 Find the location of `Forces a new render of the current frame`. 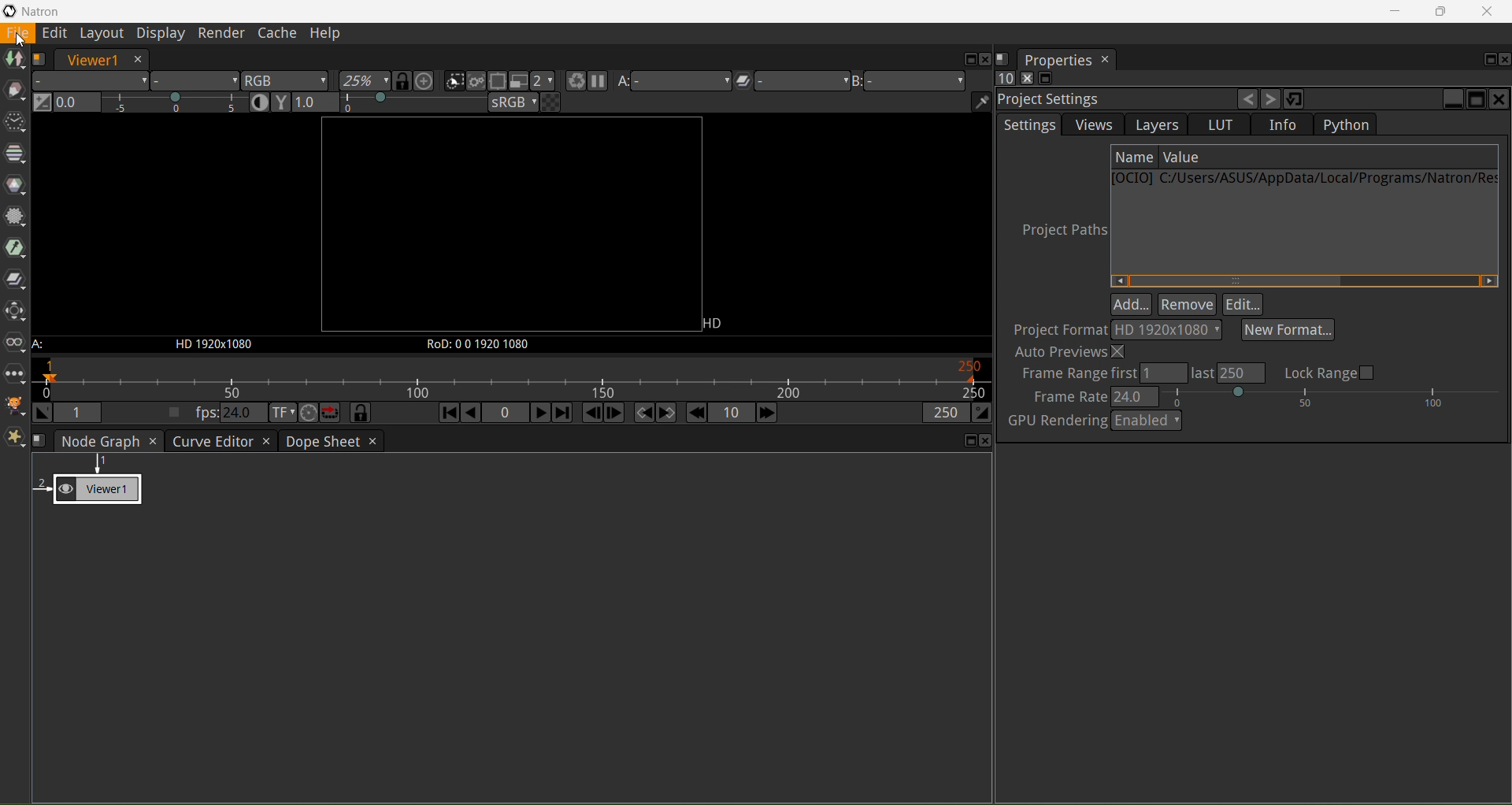

Forces a new render of the current frame is located at coordinates (576, 82).